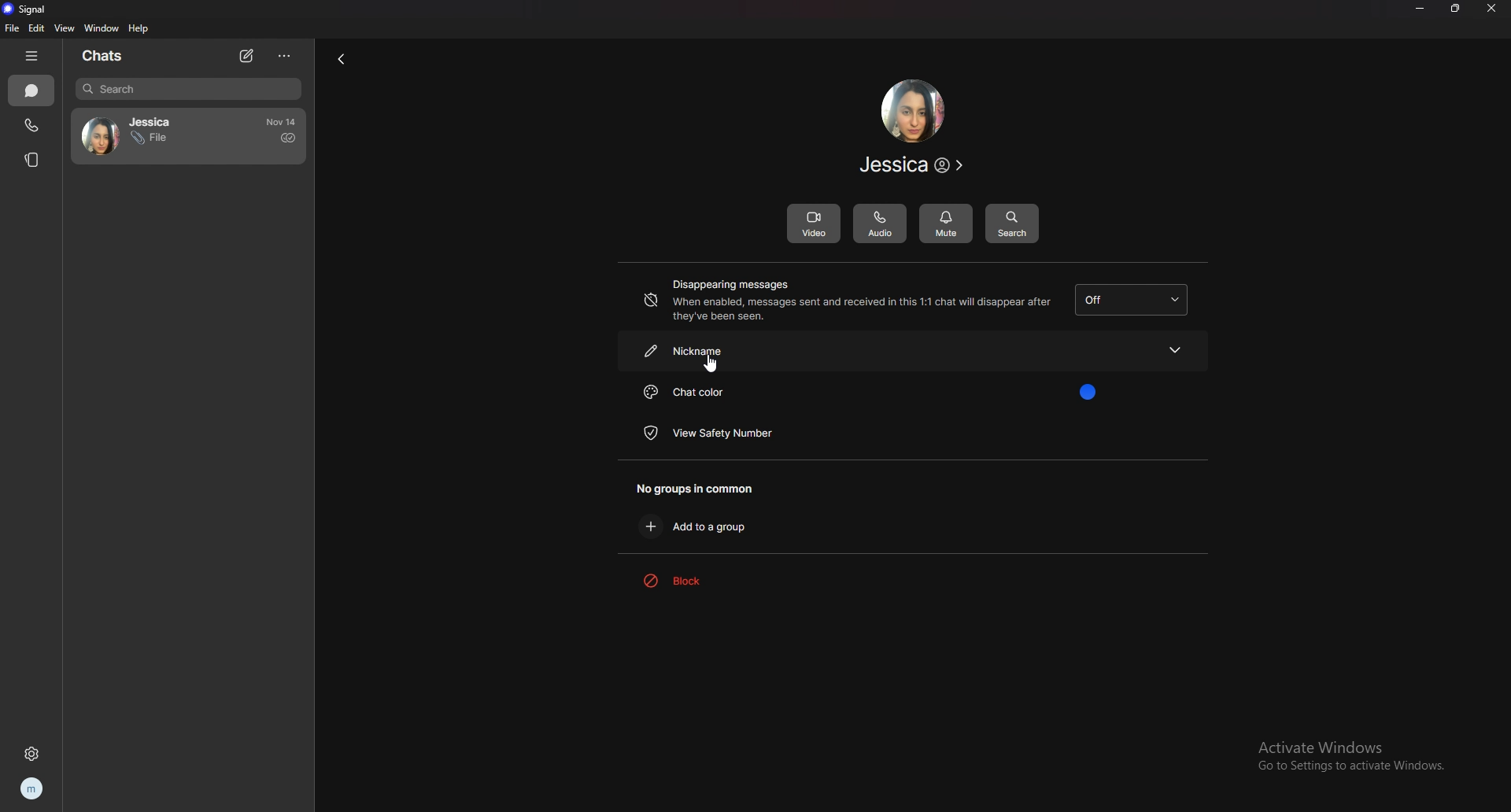 Image resolution: width=1511 pixels, height=812 pixels. Describe the element at coordinates (1461, 10) in the screenshot. I see `resize` at that location.